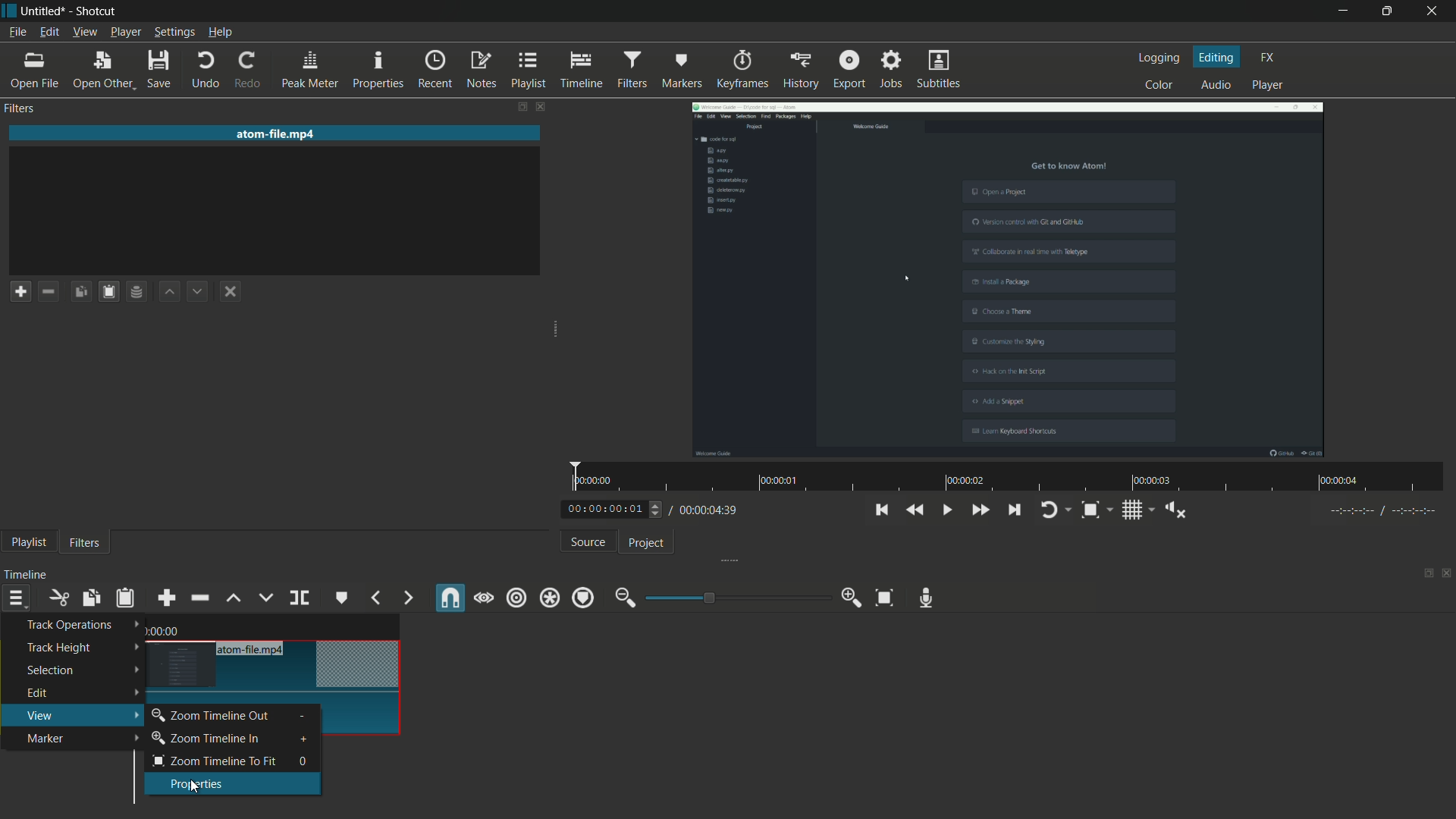  What do you see at coordinates (435, 70) in the screenshot?
I see `recent` at bounding box center [435, 70].